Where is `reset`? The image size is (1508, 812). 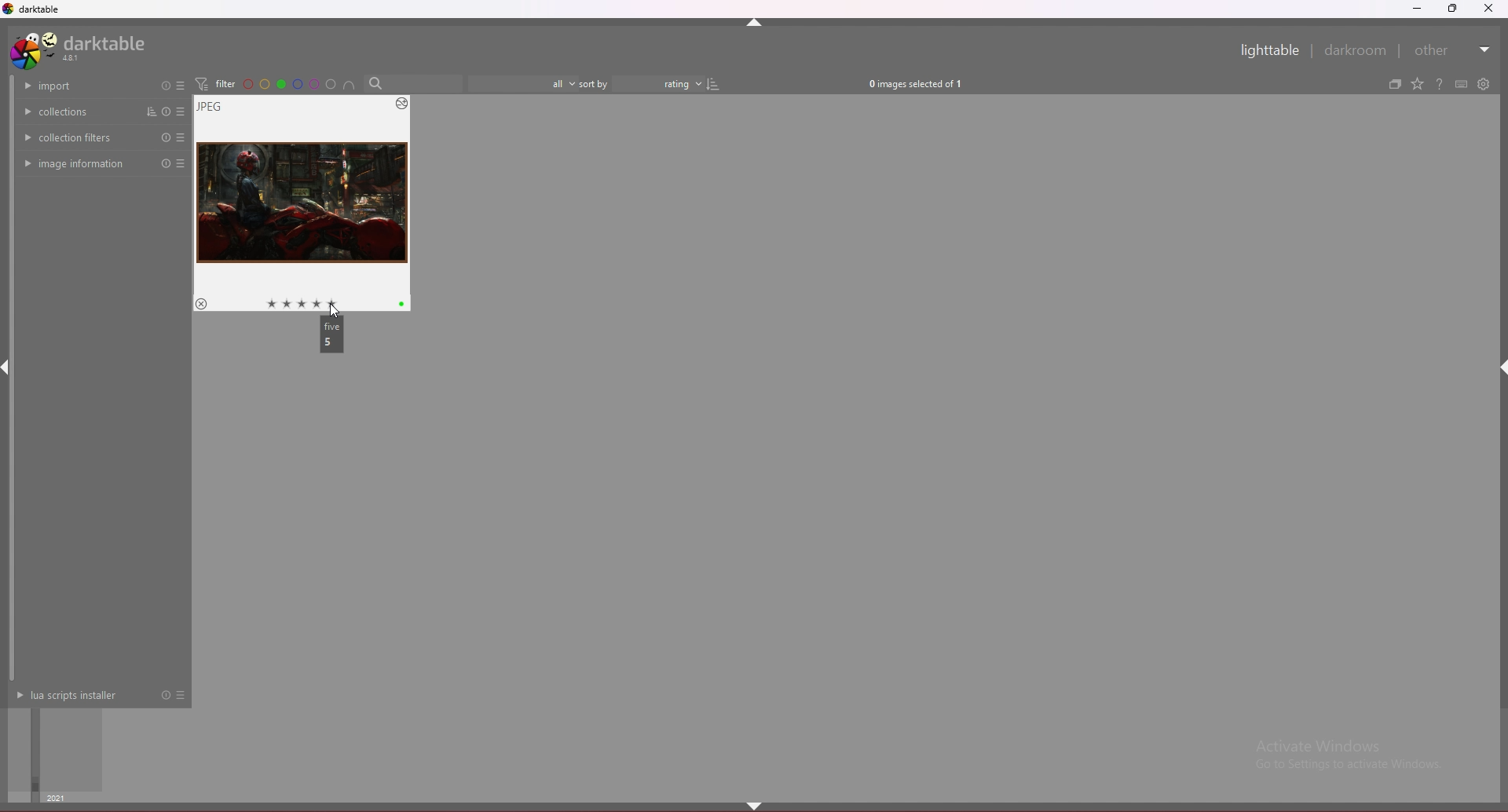
reset is located at coordinates (167, 112).